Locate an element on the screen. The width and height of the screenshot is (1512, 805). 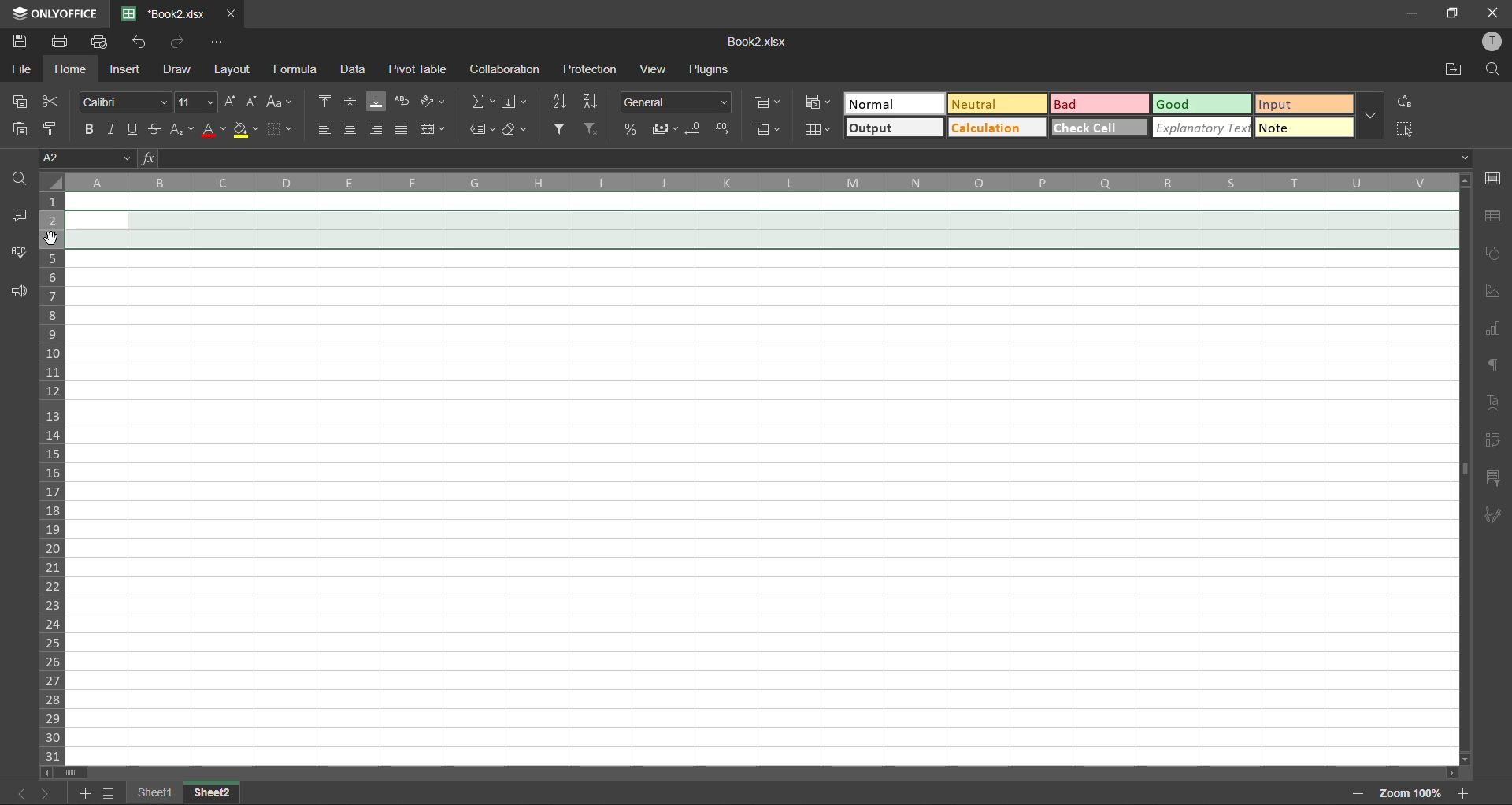
*Book2.xlsx is located at coordinates (167, 13).